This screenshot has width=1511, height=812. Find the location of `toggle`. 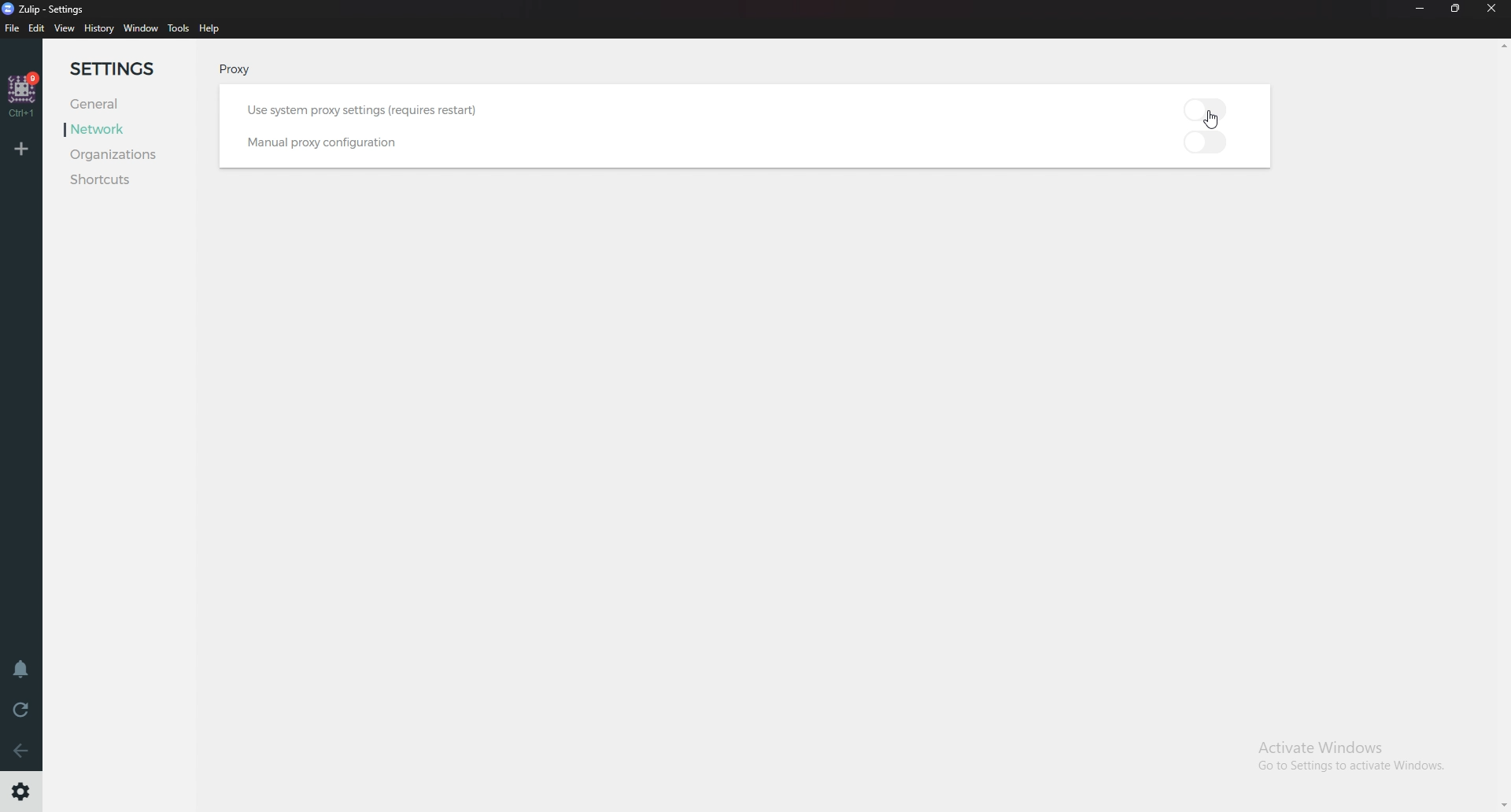

toggle is located at coordinates (1210, 109).